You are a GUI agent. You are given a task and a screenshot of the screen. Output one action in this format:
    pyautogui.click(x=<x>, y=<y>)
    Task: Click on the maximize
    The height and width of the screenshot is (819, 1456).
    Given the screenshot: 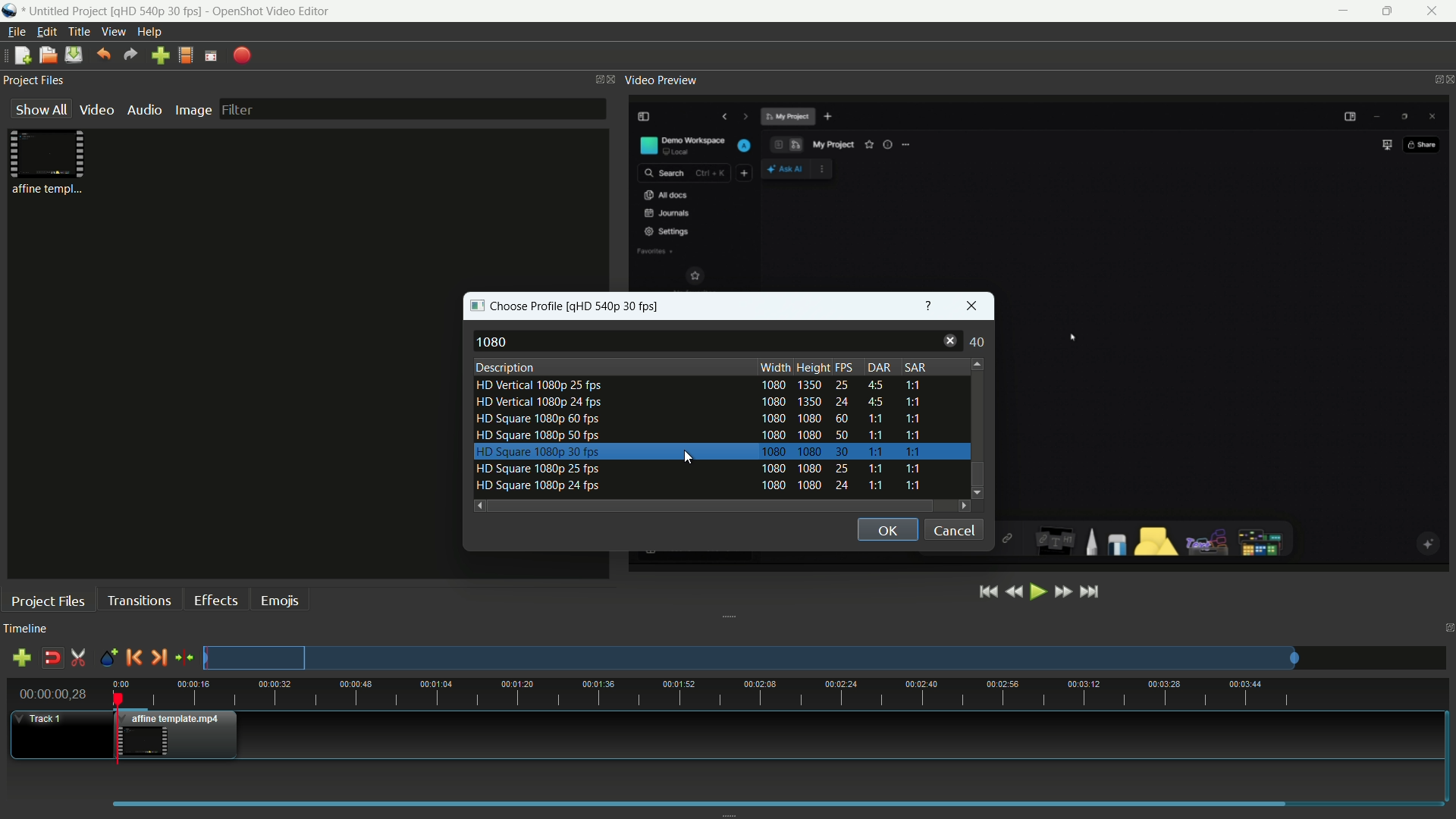 What is the action you would take?
    pyautogui.click(x=1391, y=11)
    